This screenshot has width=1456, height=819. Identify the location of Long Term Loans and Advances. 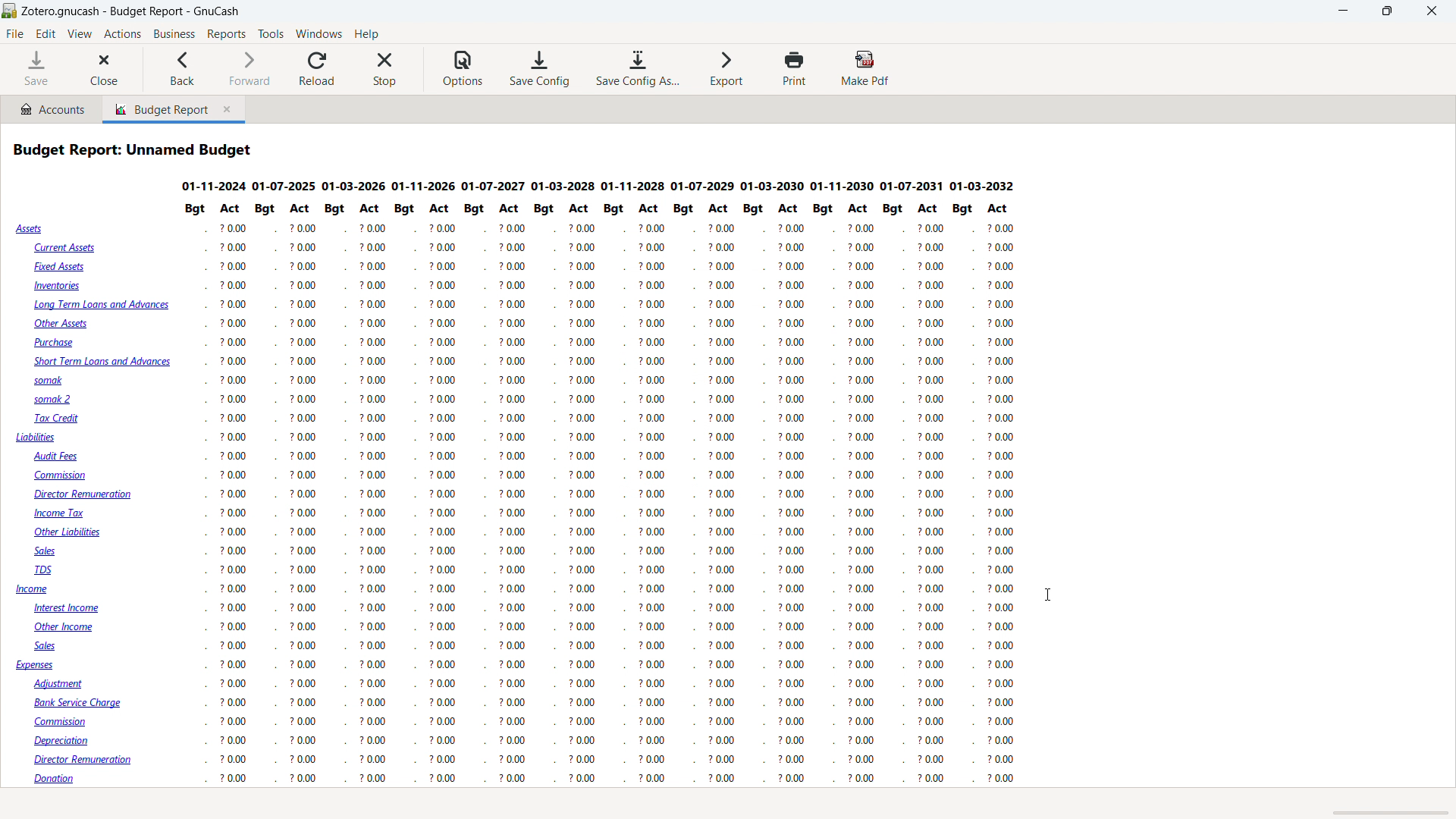
(102, 307).